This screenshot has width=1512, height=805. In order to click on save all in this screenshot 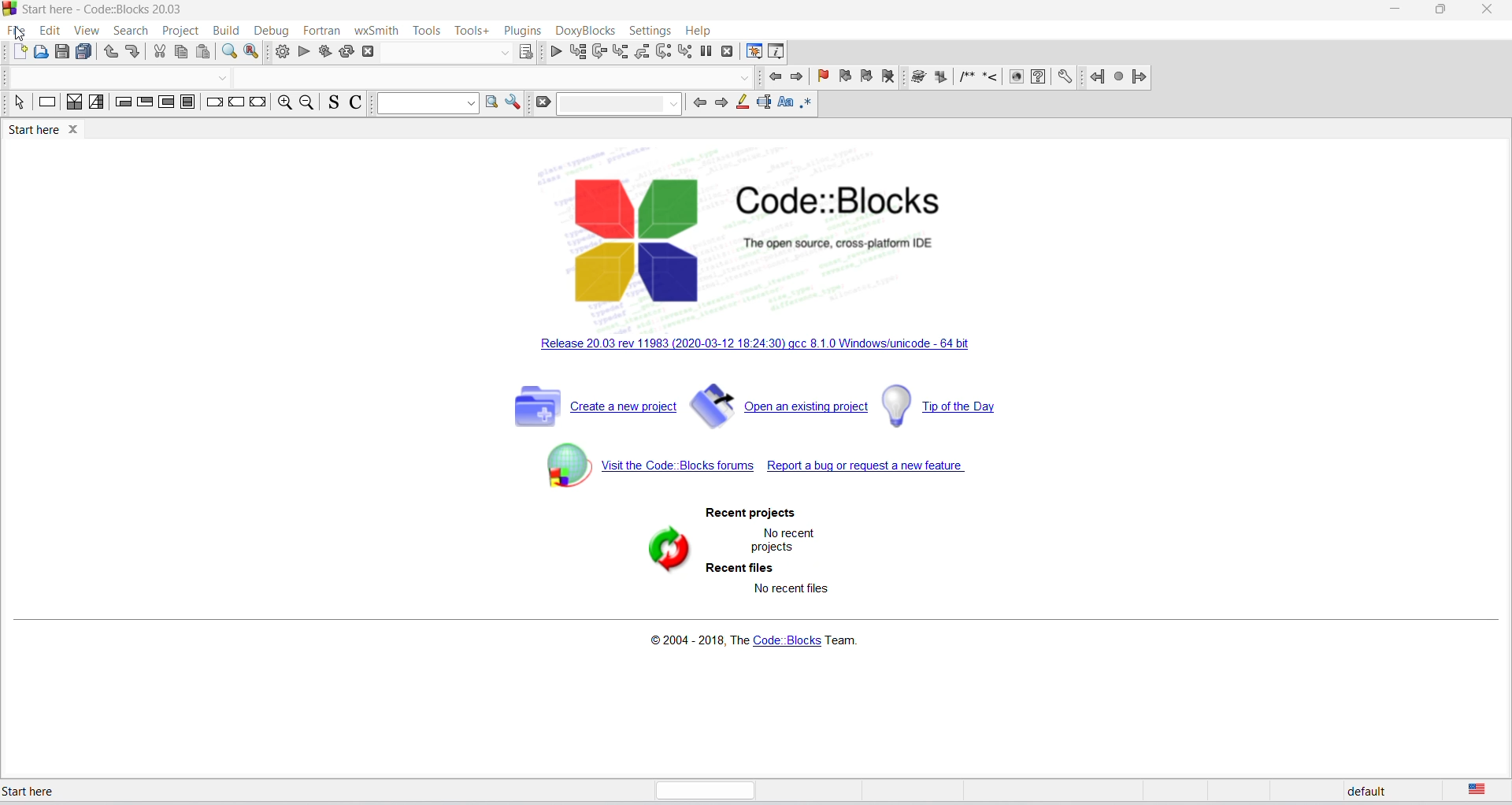, I will do `click(83, 53)`.